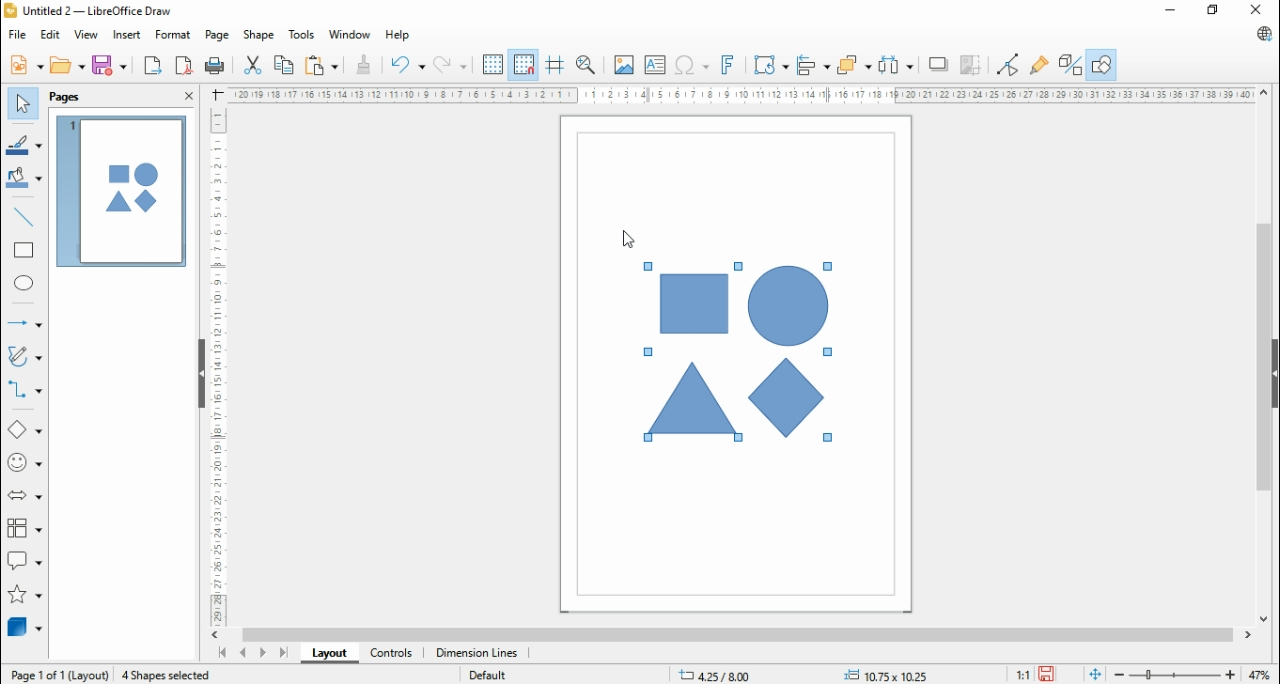 The height and width of the screenshot is (684, 1280). I want to click on default, so click(488, 676).